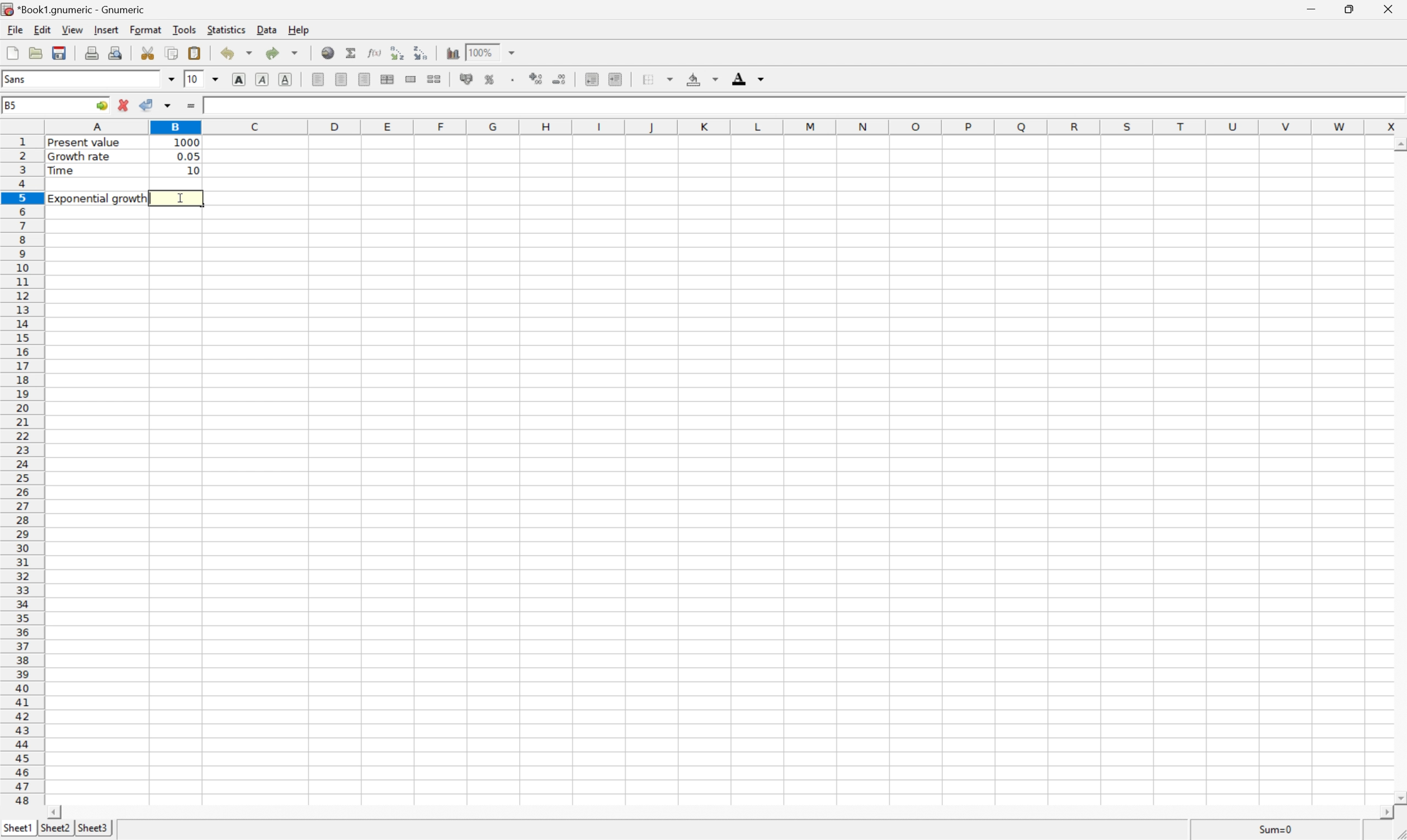 The height and width of the screenshot is (840, 1407). Describe the element at coordinates (192, 79) in the screenshot. I see `10` at that location.